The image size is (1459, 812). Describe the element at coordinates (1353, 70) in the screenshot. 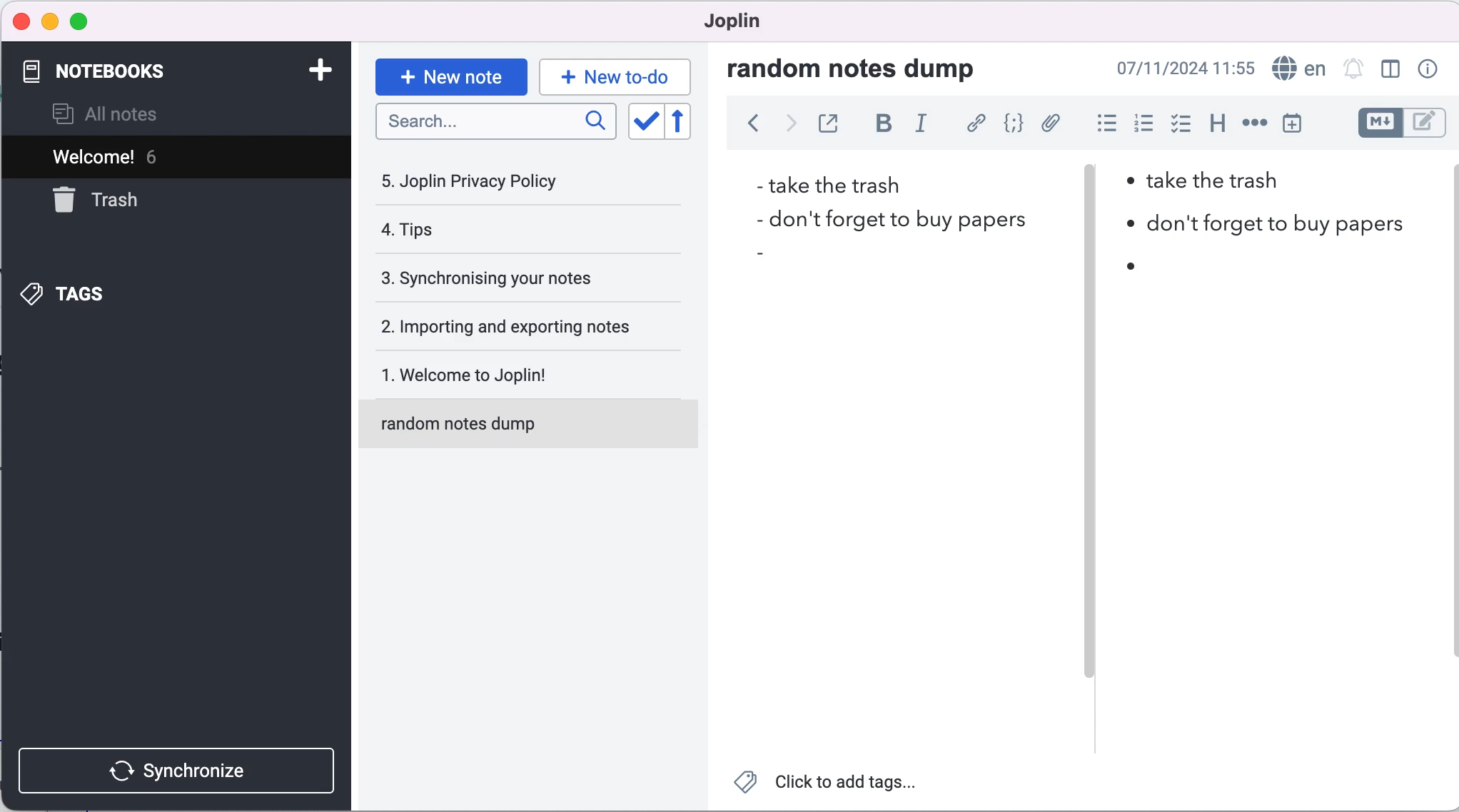

I see `set alarm` at that location.